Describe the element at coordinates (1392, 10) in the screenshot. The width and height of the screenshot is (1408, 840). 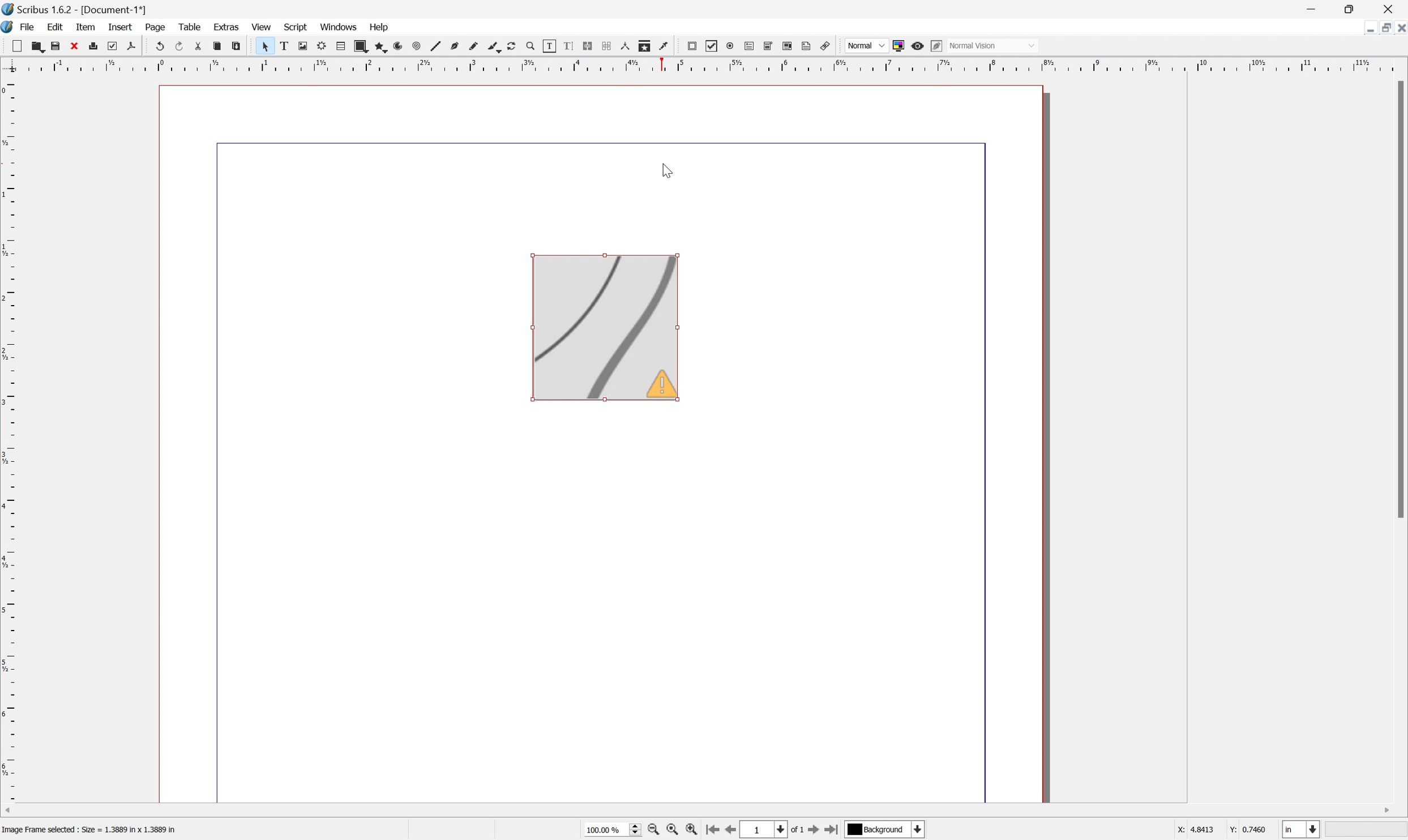
I see `Close` at that location.